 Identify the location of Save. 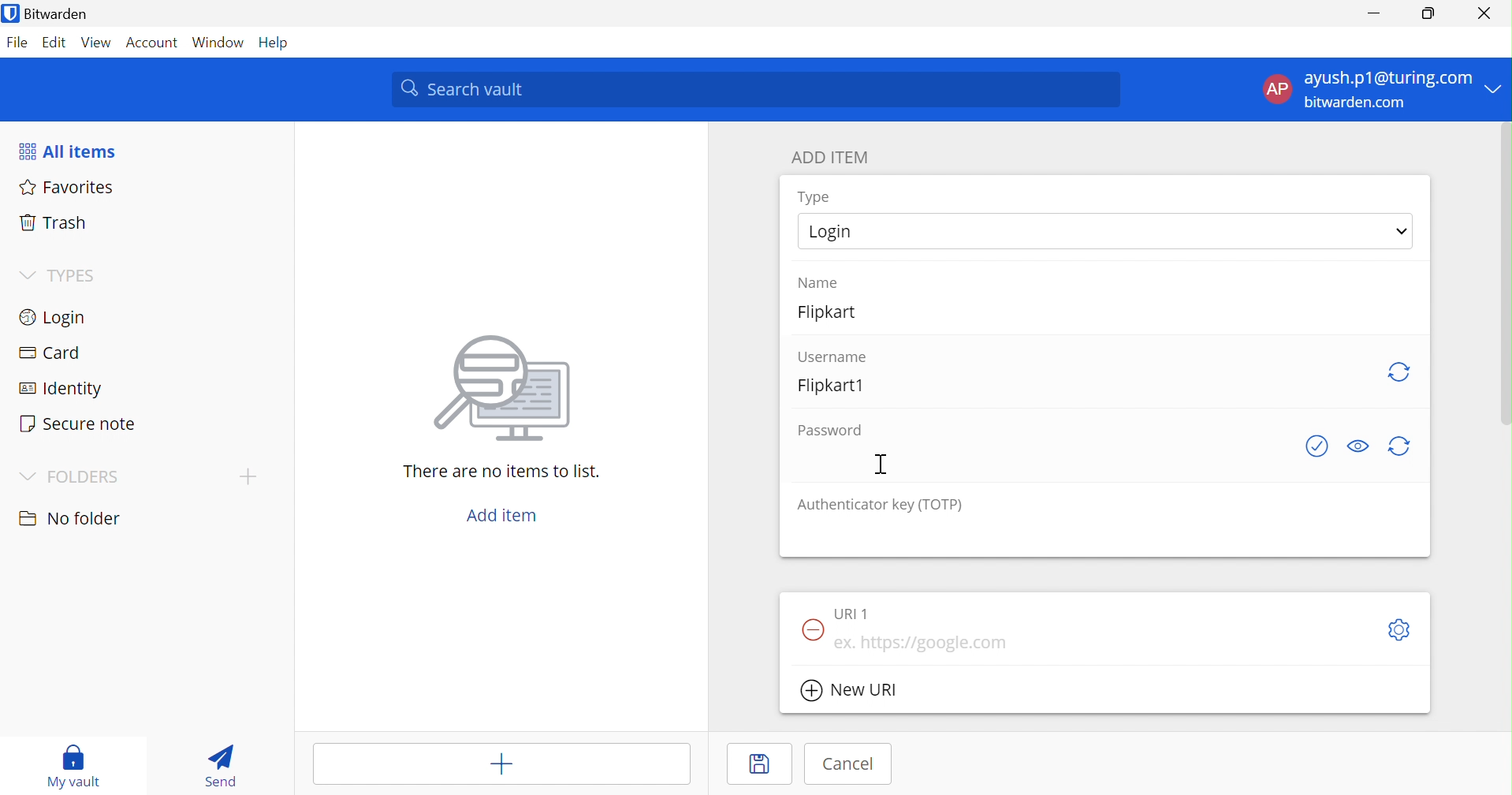
(749, 767).